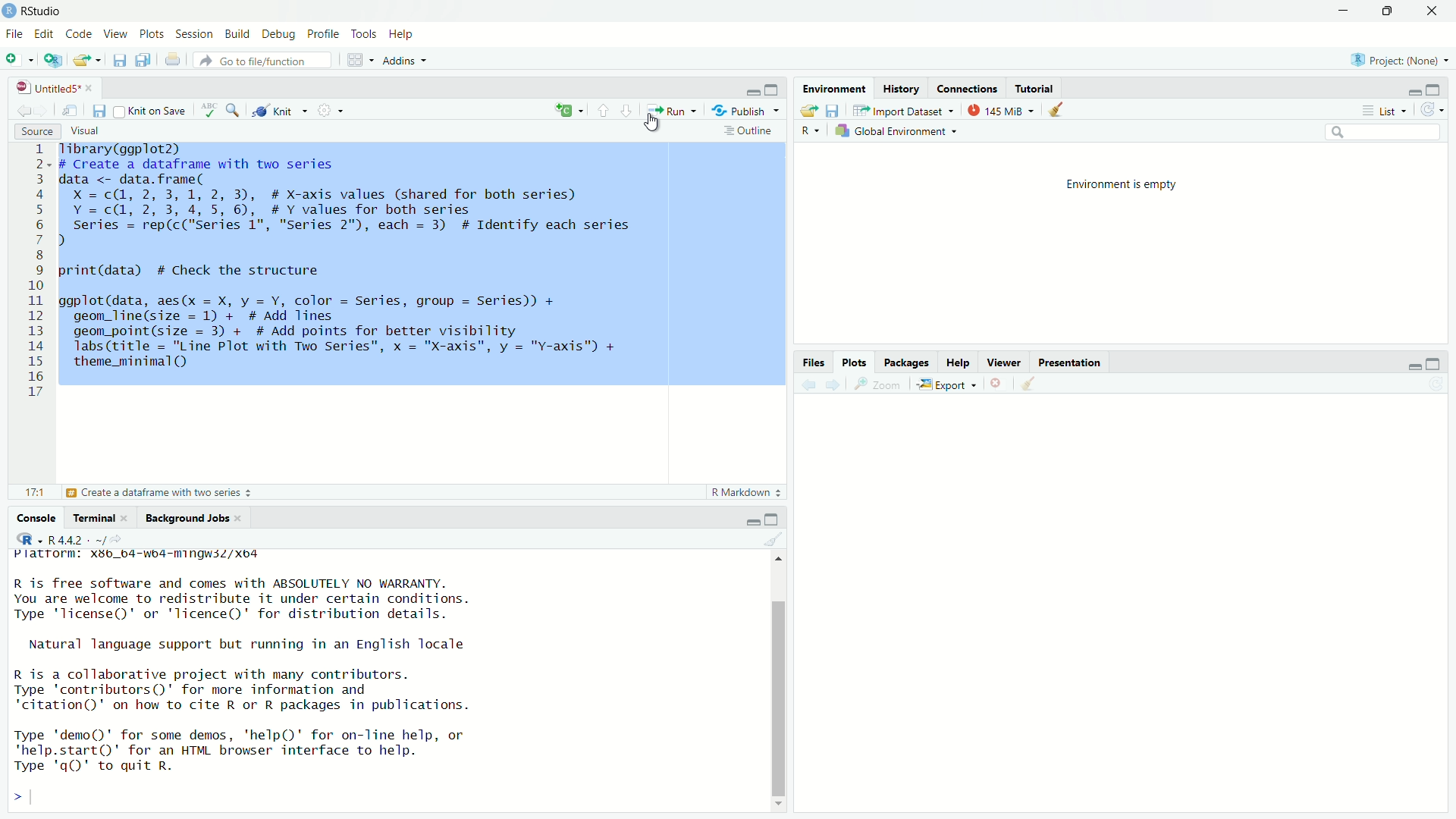  Describe the element at coordinates (264, 60) in the screenshot. I see `Go to file function` at that location.